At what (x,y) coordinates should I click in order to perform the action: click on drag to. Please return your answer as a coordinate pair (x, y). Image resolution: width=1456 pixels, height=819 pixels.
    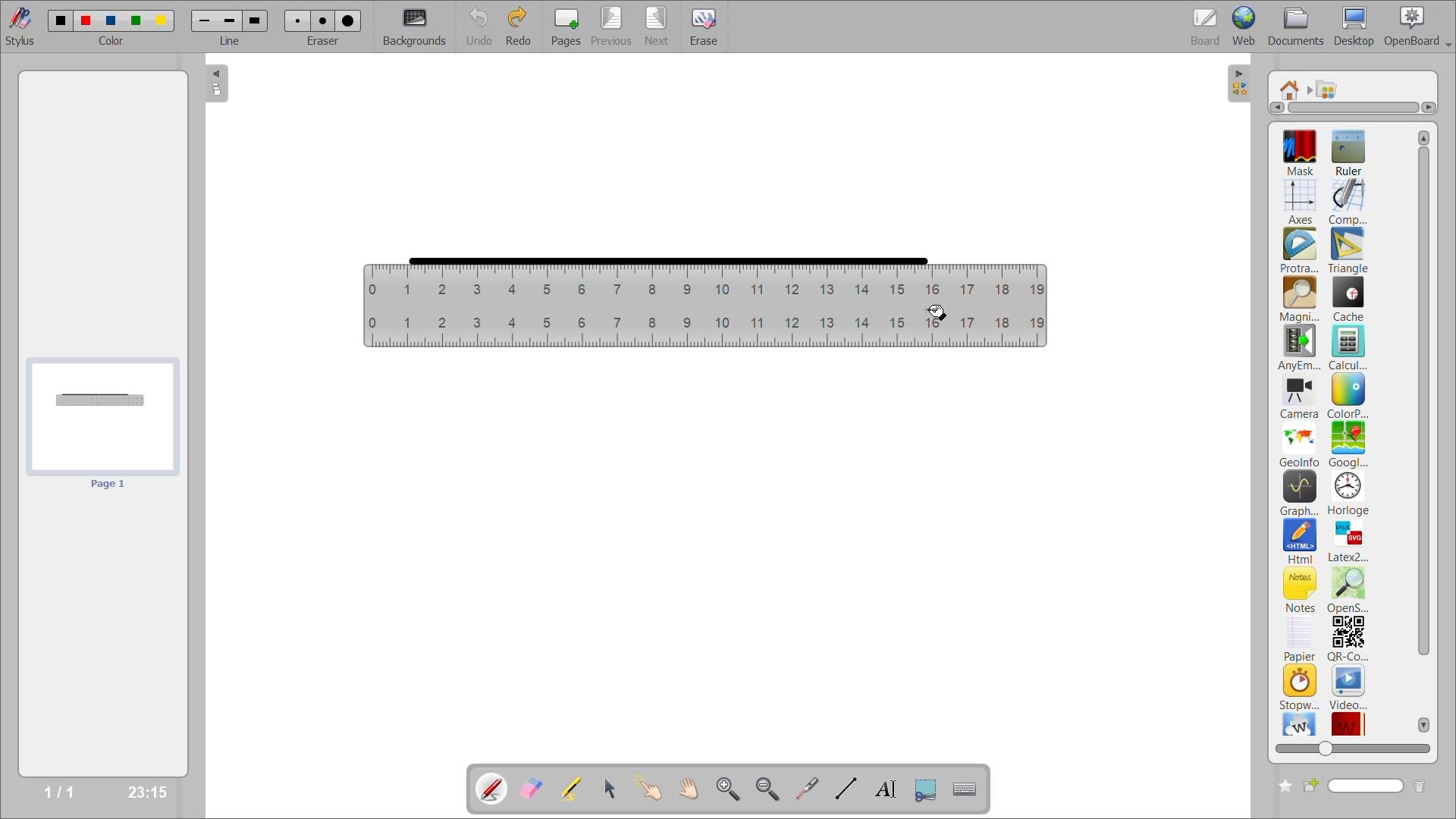
    Looking at the image, I should click on (937, 313).